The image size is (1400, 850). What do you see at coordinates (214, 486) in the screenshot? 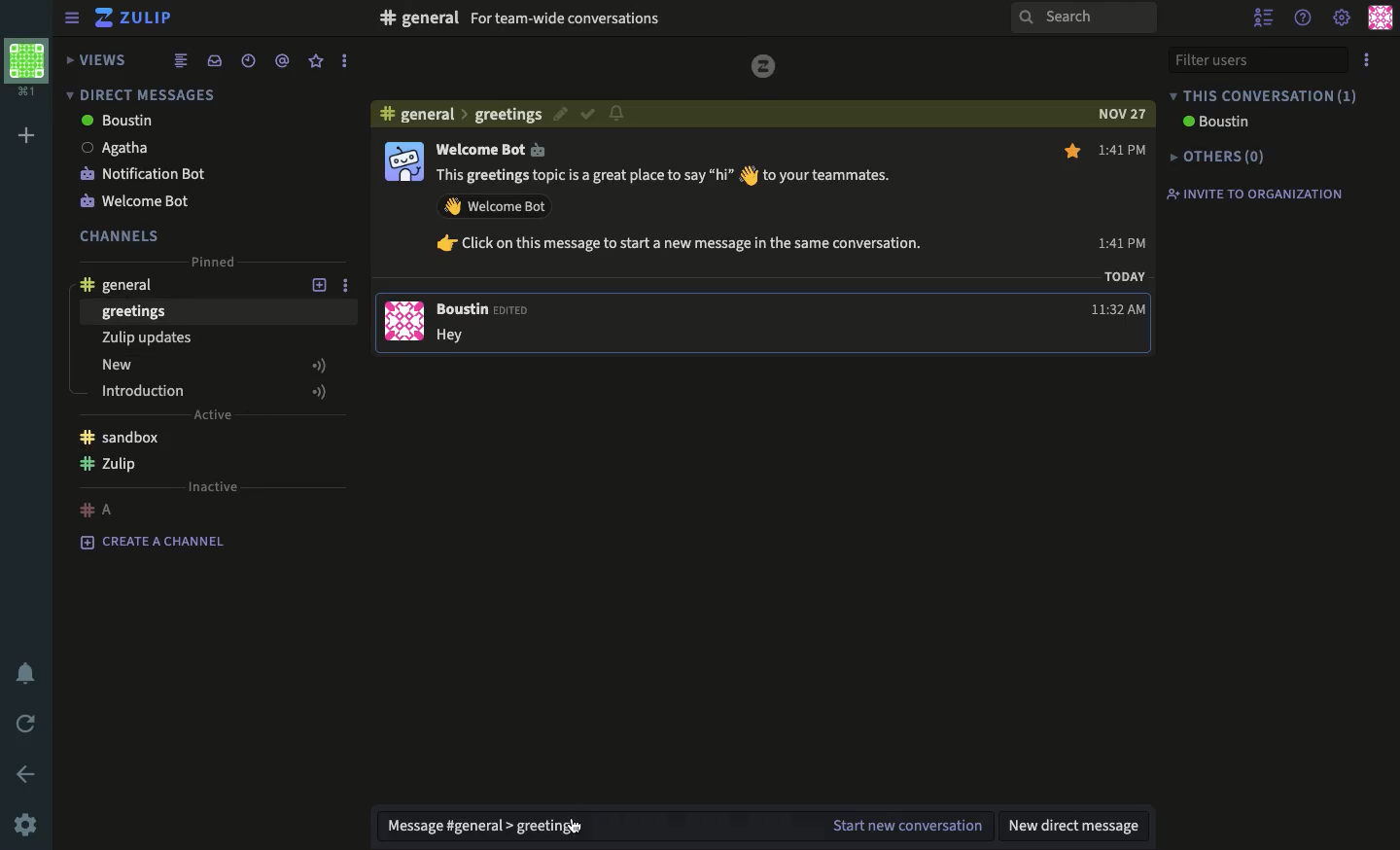
I see `inactive` at bounding box center [214, 486].